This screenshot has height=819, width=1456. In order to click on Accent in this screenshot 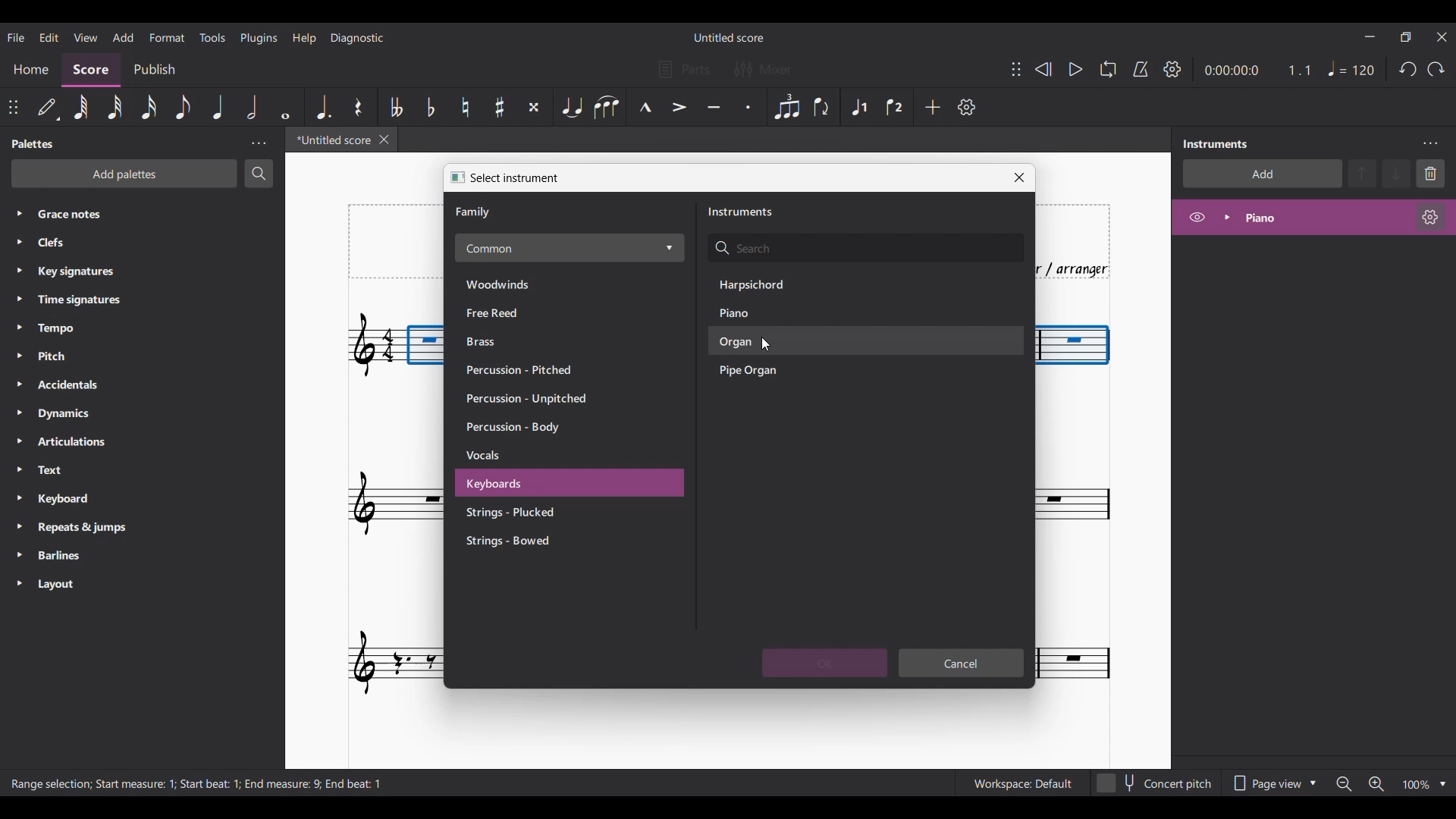, I will do `click(678, 107)`.